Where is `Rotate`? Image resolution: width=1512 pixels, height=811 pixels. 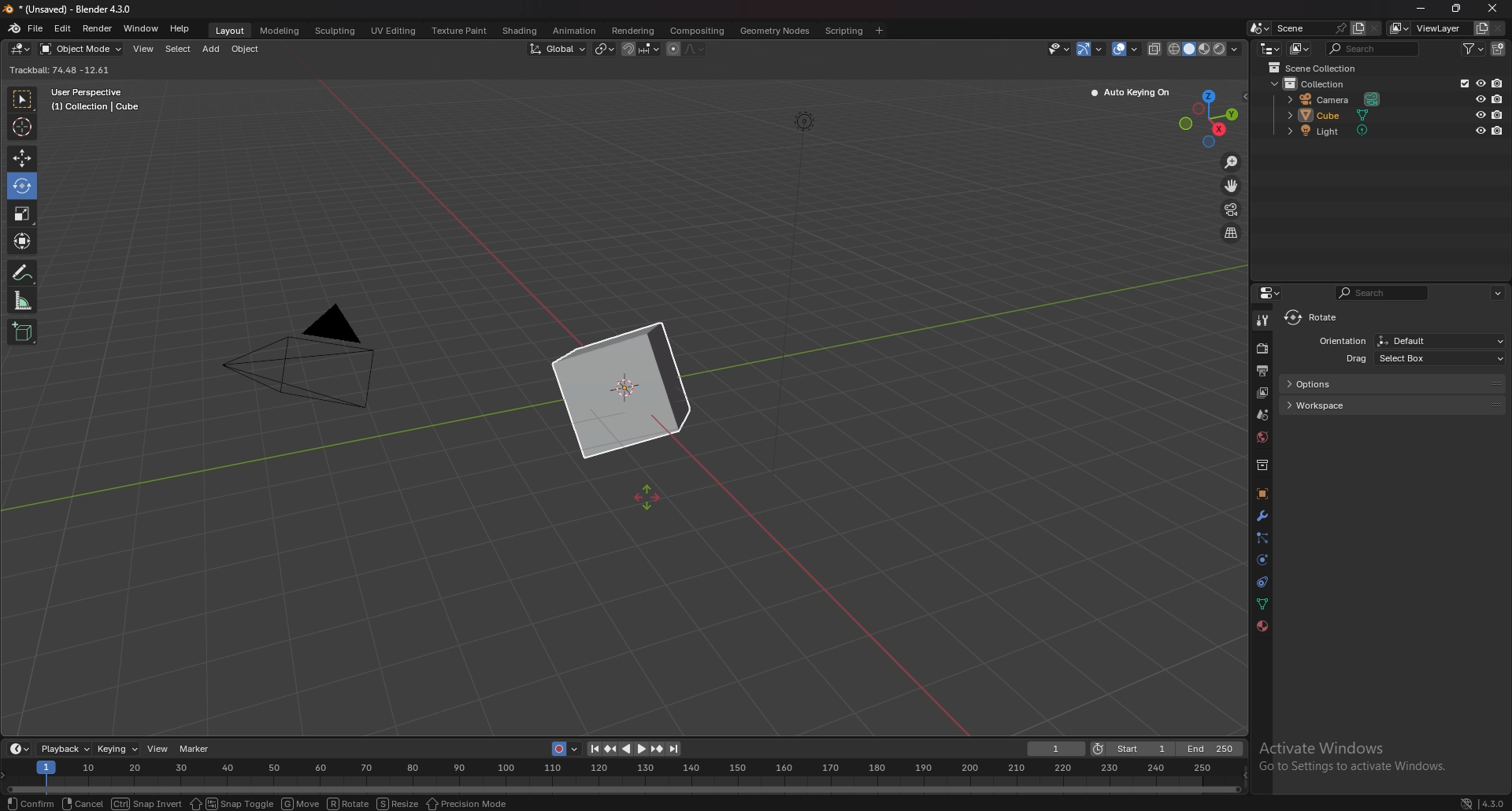
Rotate is located at coordinates (21, 187).